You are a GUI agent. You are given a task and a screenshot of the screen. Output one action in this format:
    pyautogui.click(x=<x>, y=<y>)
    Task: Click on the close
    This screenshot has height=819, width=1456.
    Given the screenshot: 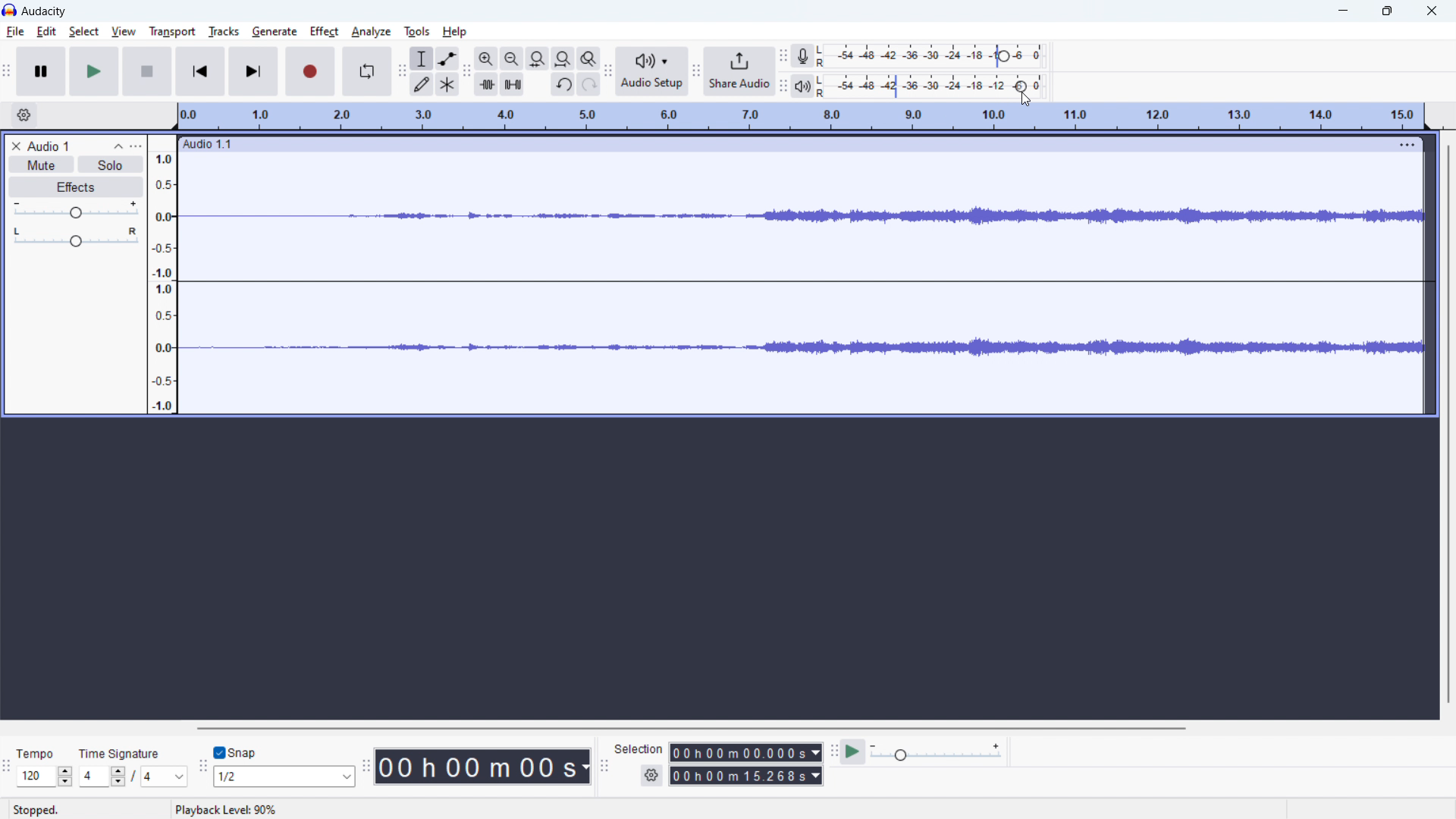 What is the action you would take?
    pyautogui.click(x=1431, y=11)
    